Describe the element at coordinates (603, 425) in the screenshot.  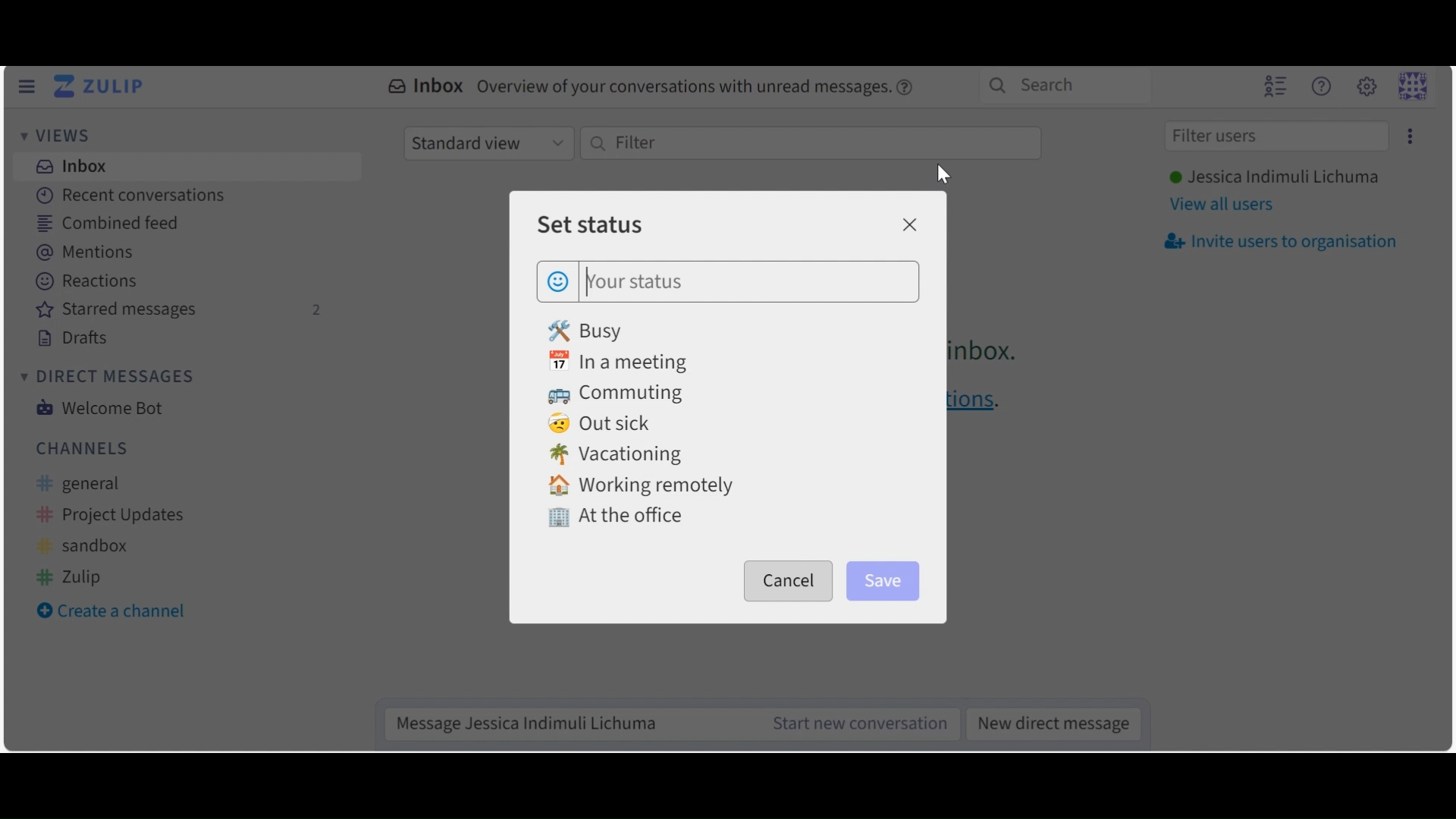
I see `Out Sick` at that location.